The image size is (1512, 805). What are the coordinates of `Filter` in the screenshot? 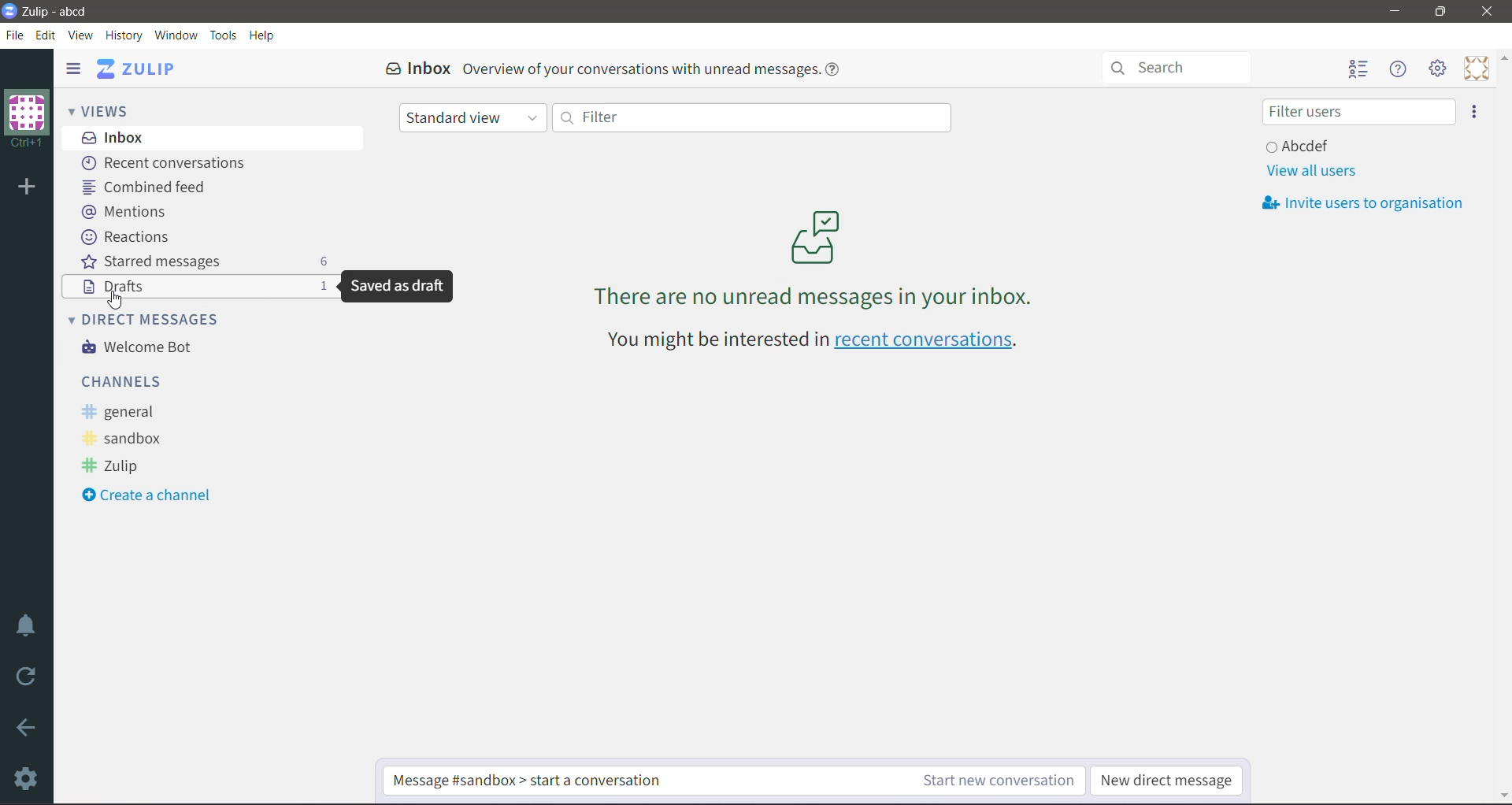 It's located at (750, 117).